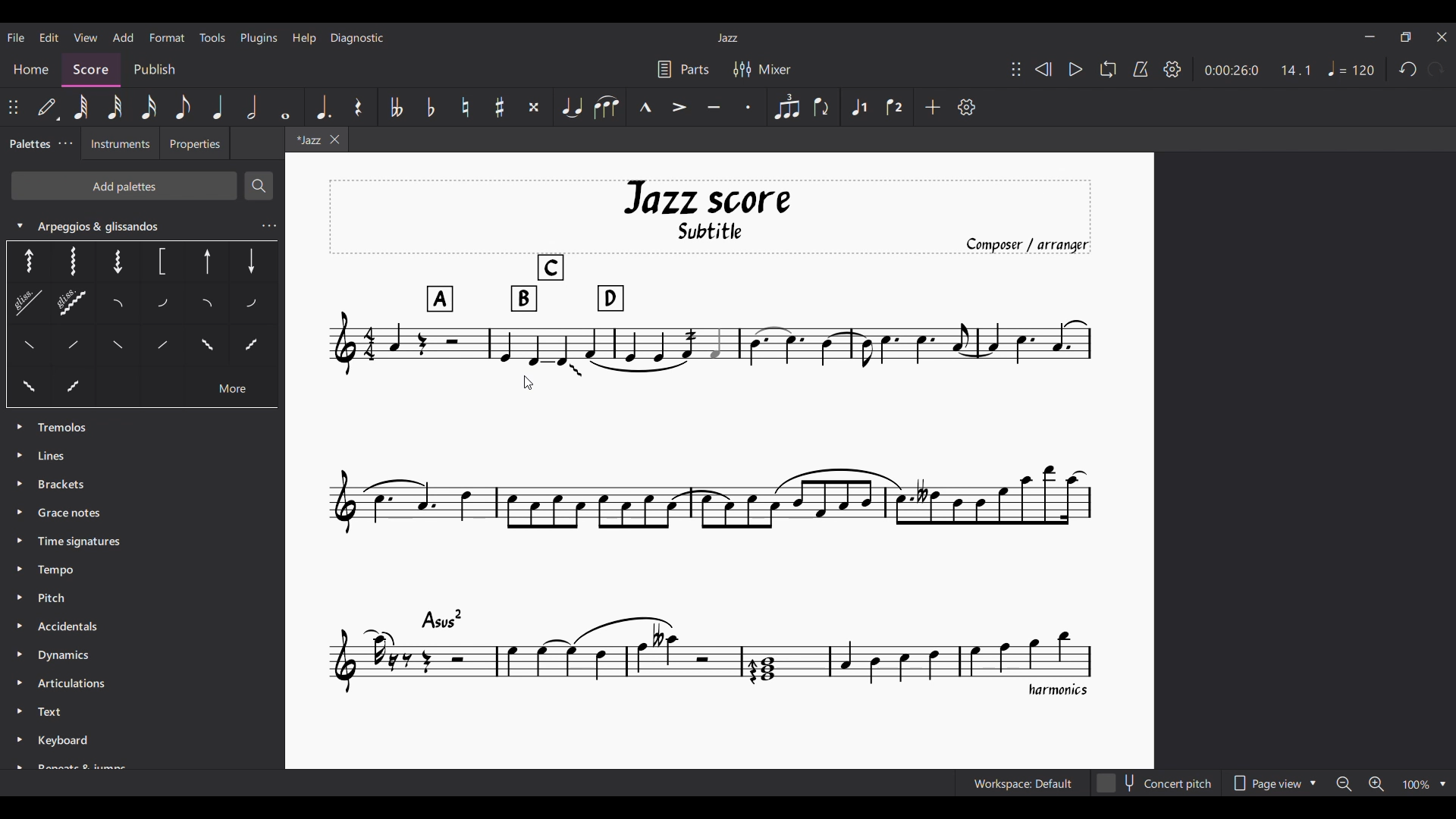  I want to click on Arpeggios & glissandos, so click(124, 226).